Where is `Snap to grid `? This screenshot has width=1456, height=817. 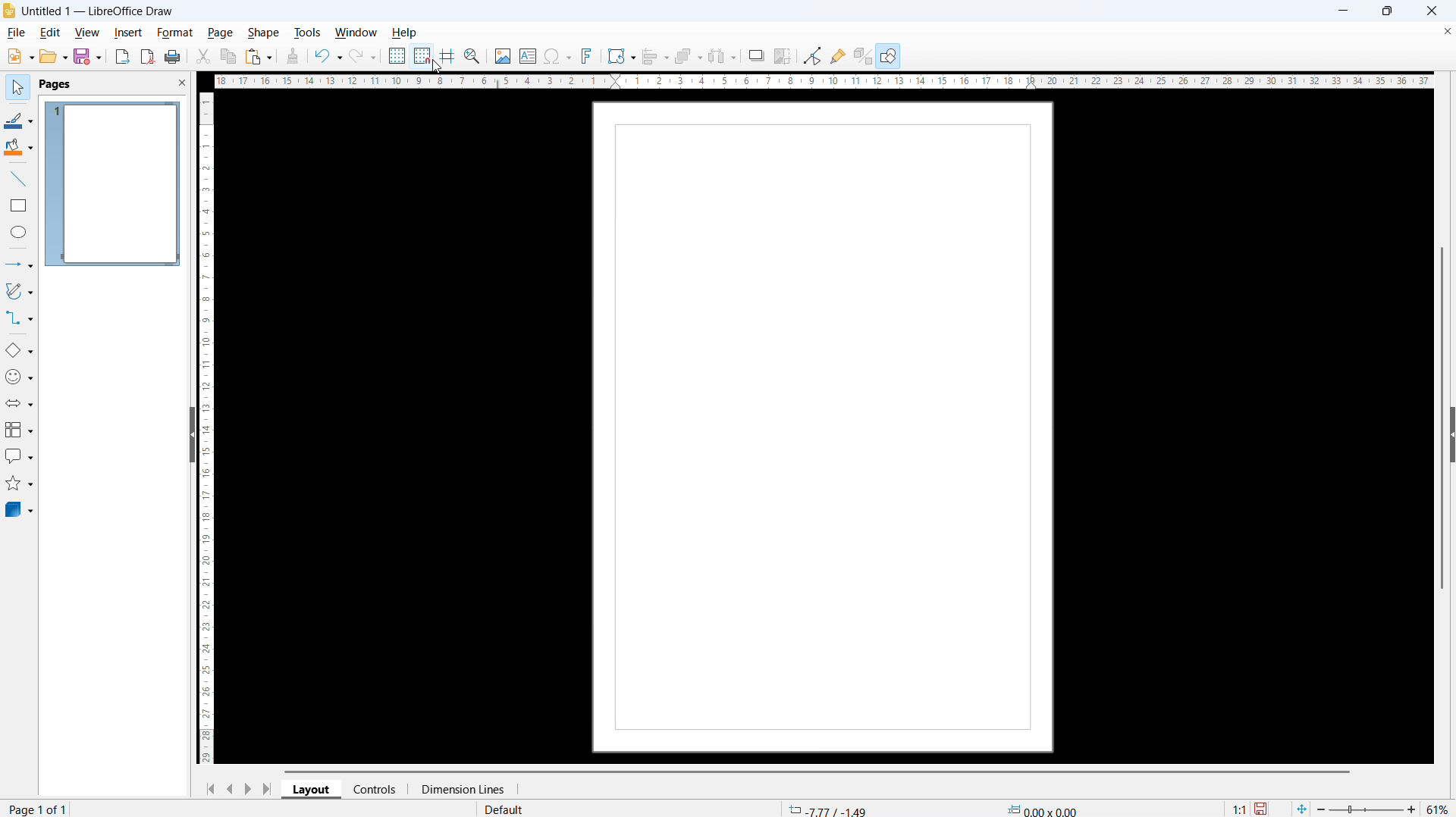 Snap to grid  is located at coordinates (422, 55).